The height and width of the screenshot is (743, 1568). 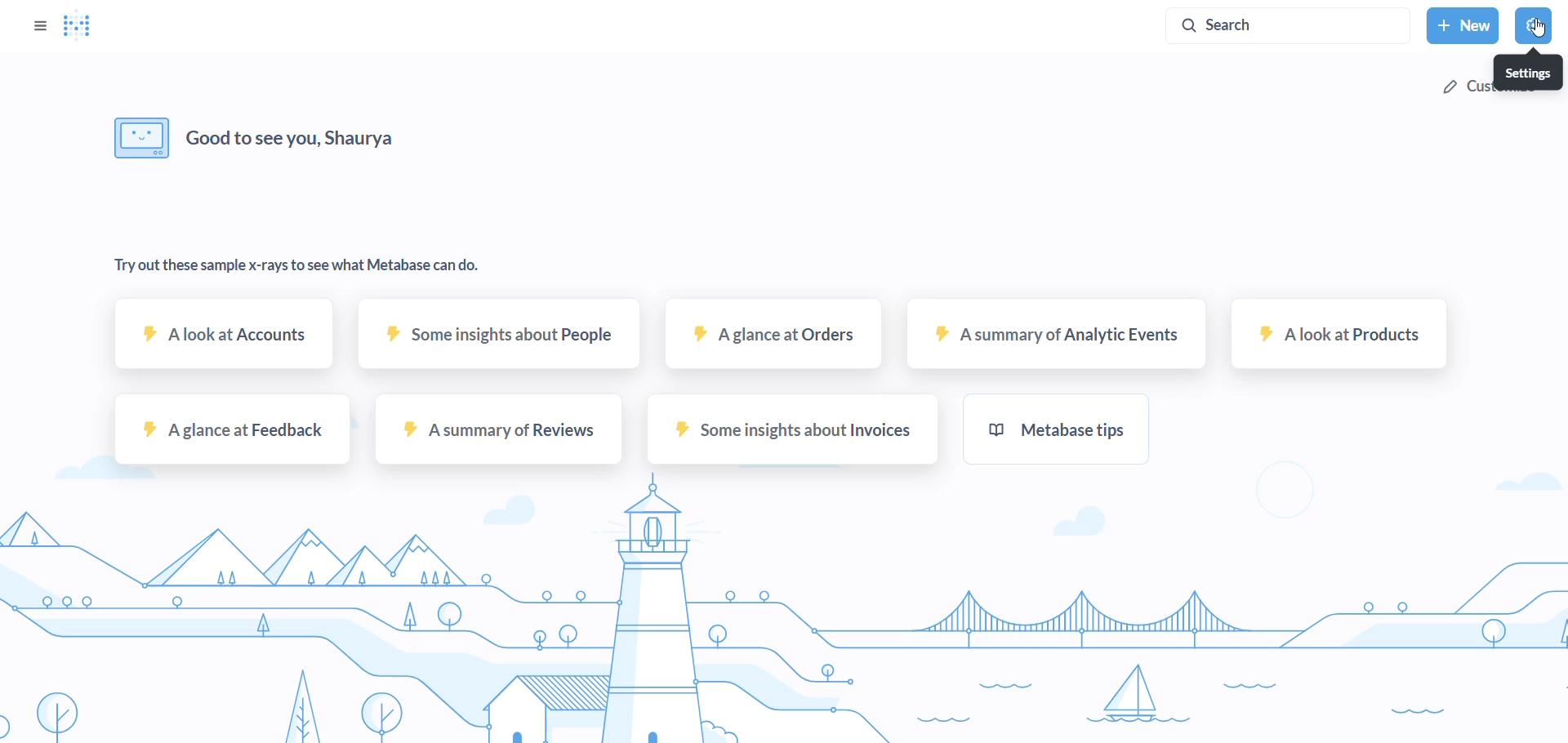 I want to click on A look at products sample, so click(x=1343, y=339).